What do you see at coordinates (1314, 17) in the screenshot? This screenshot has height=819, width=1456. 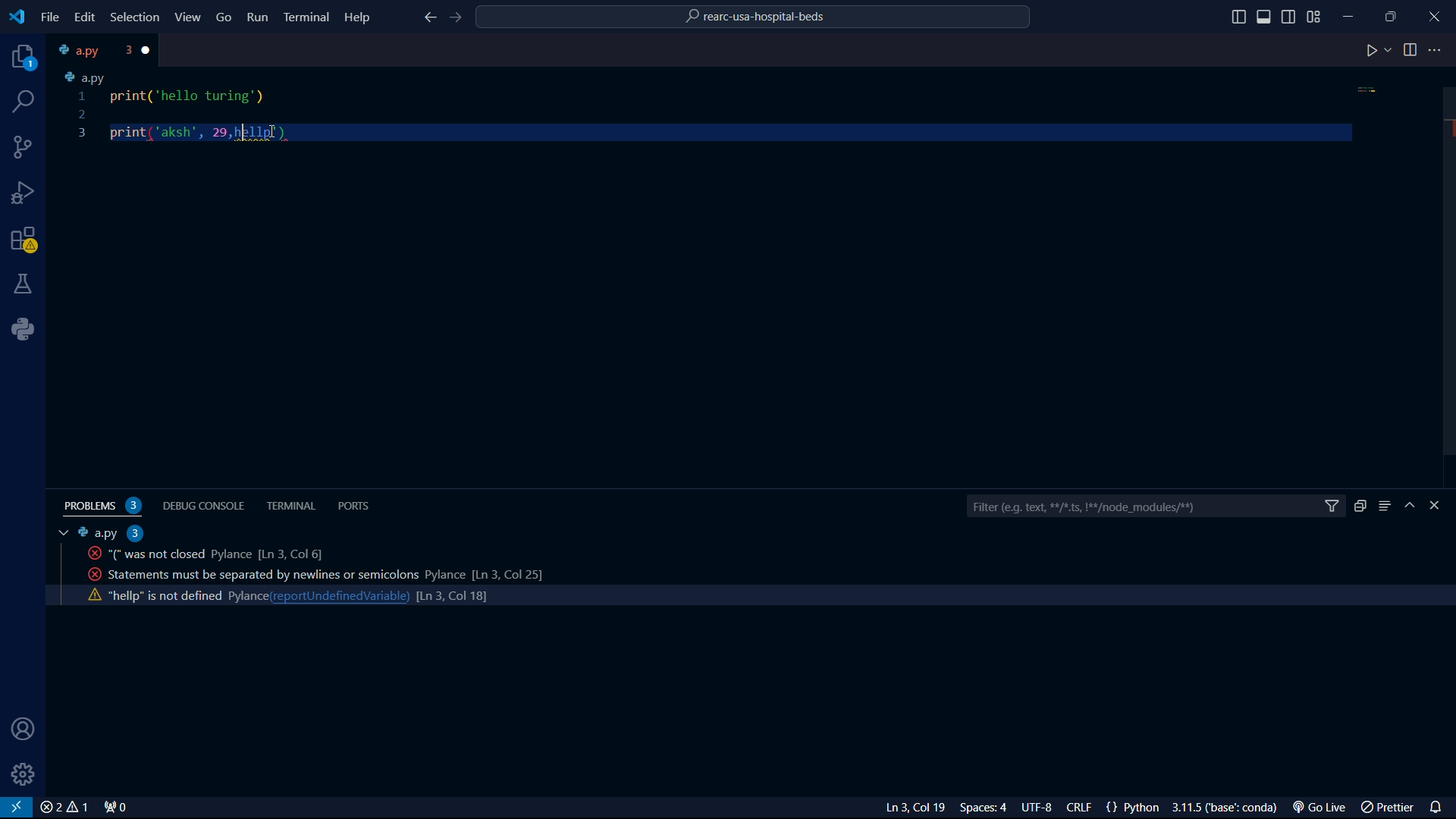 I see `grid view` at bounding box center [1314, 17].